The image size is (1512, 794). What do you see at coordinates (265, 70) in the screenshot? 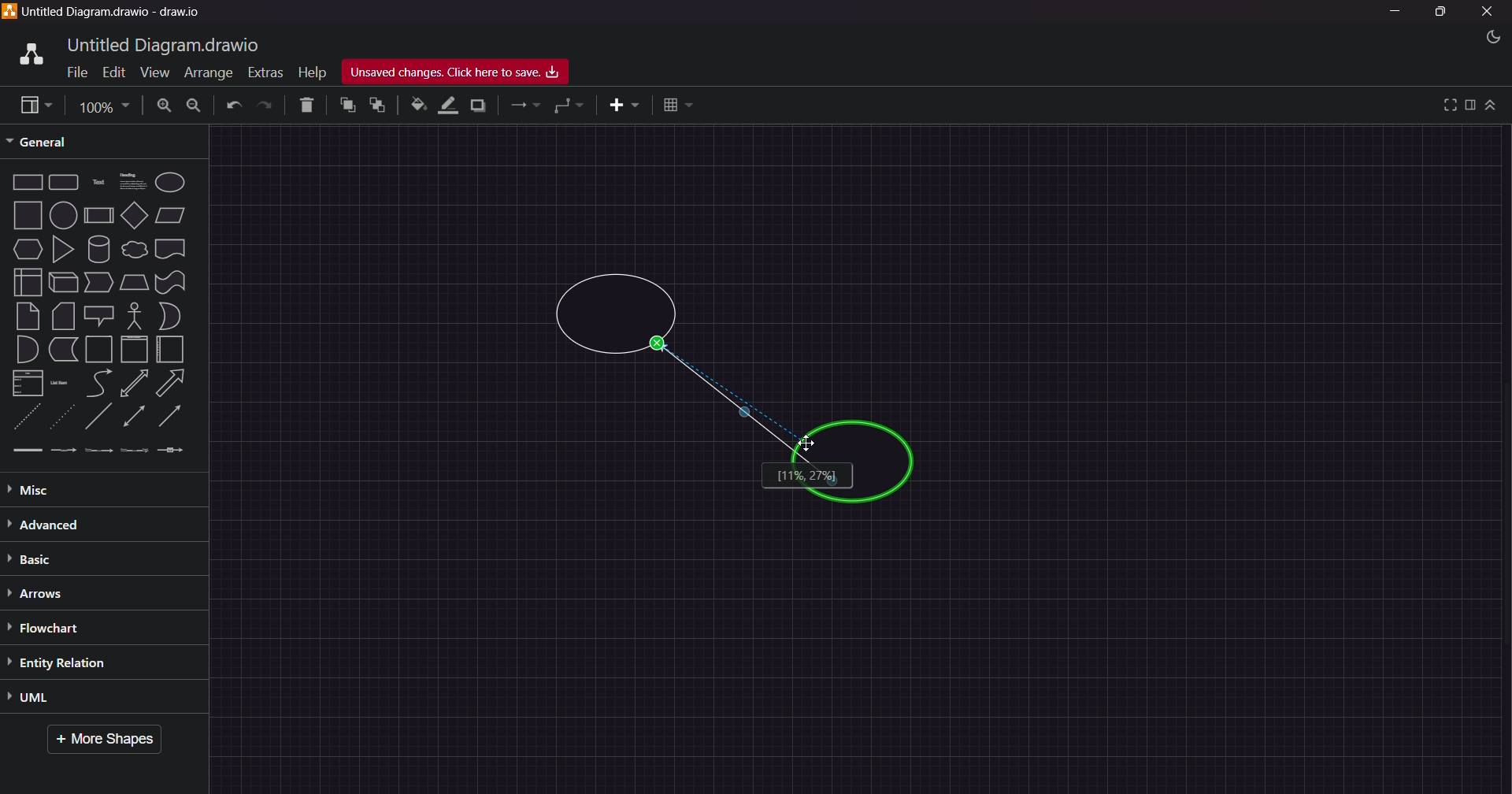
I see `Extras` at bounding box center [265, 70].